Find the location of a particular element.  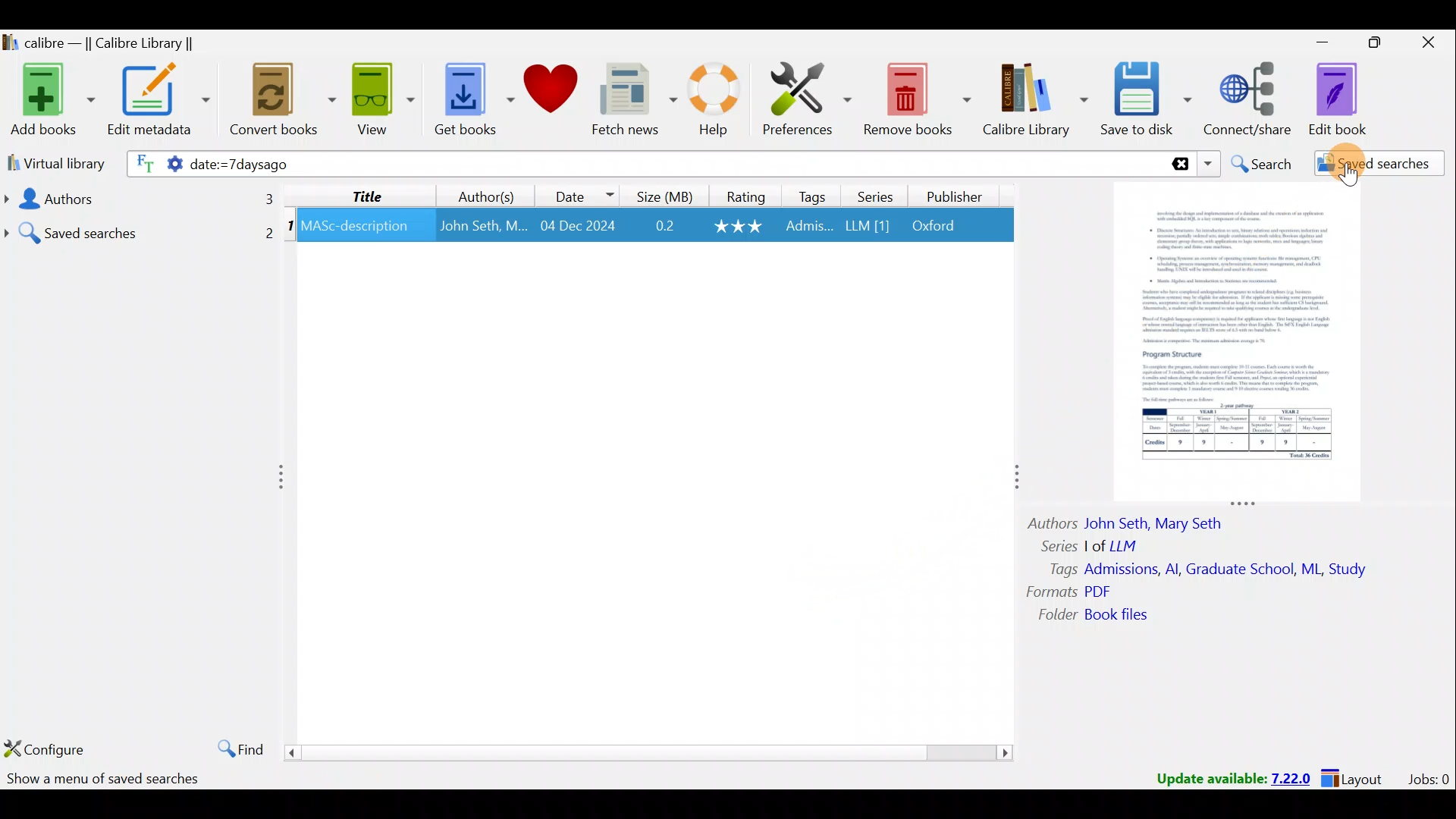

Layout is located at coordinates (1357, 777).